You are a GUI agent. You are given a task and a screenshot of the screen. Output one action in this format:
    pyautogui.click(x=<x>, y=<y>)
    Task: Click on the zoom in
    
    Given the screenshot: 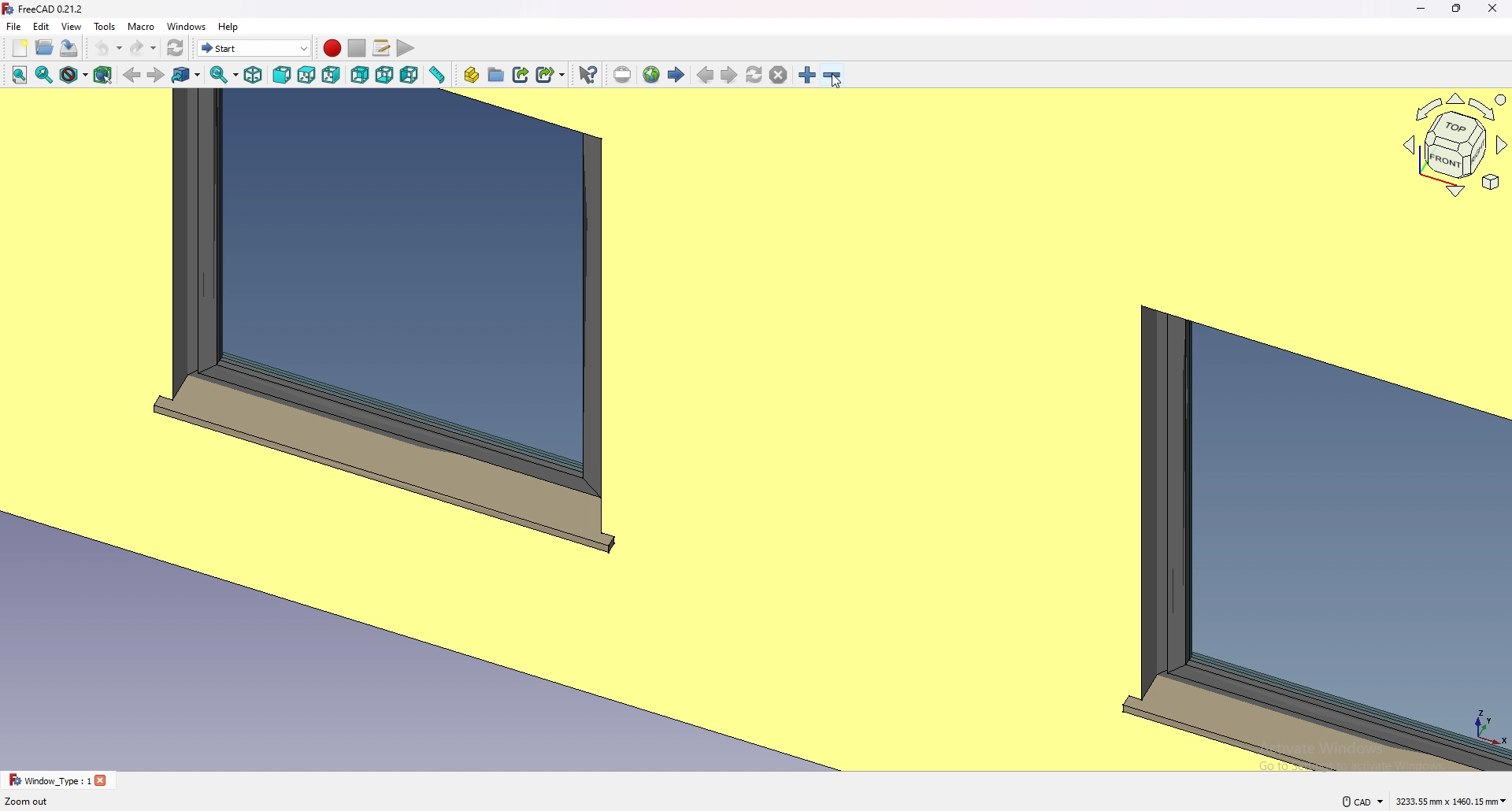 What is the action you would take?
    pyautogui.click(x=809, y=75)
    